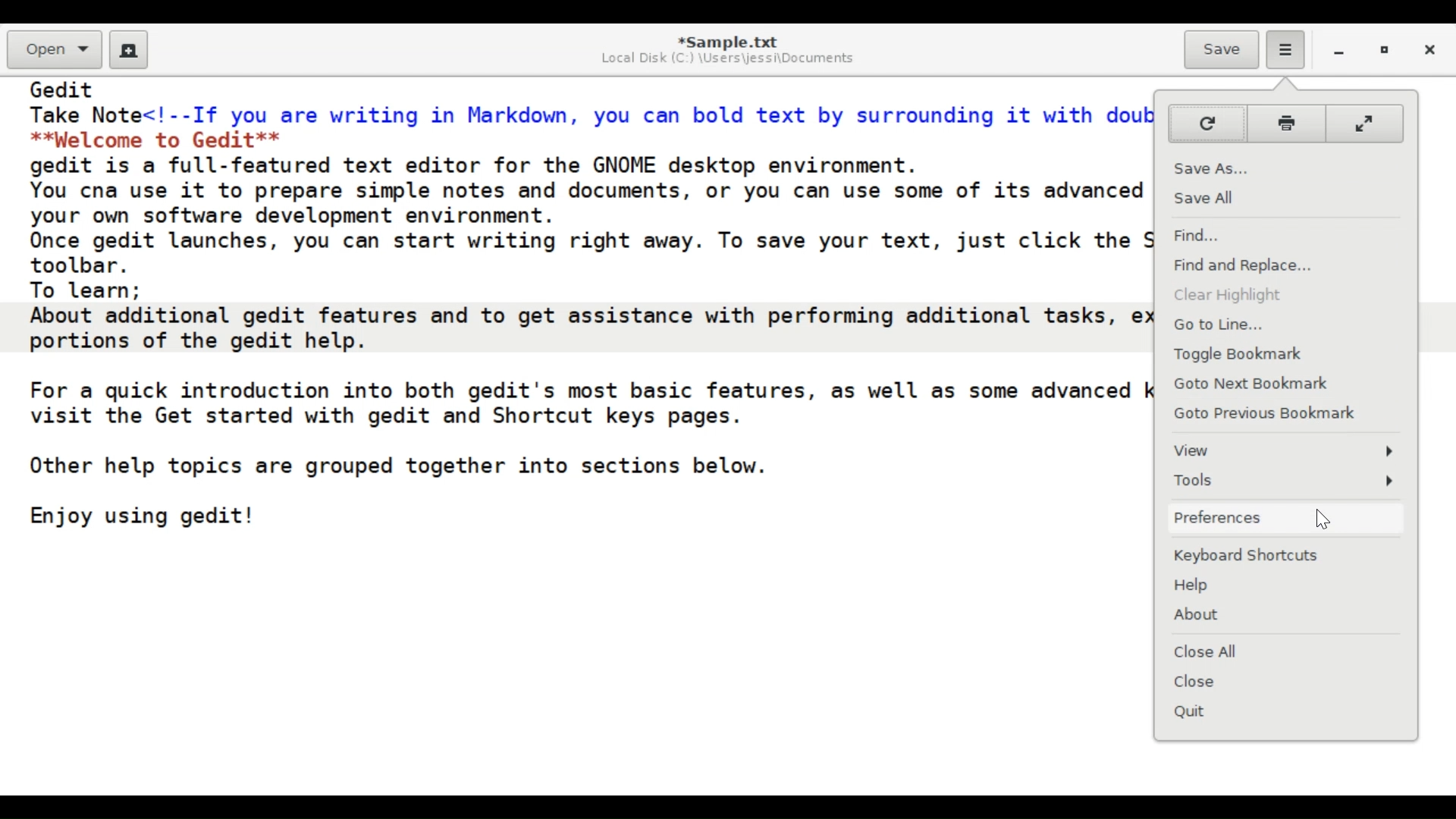  Describe the element at coordinates (1285, 165) in the screenshot. I see `Save As` at that location.